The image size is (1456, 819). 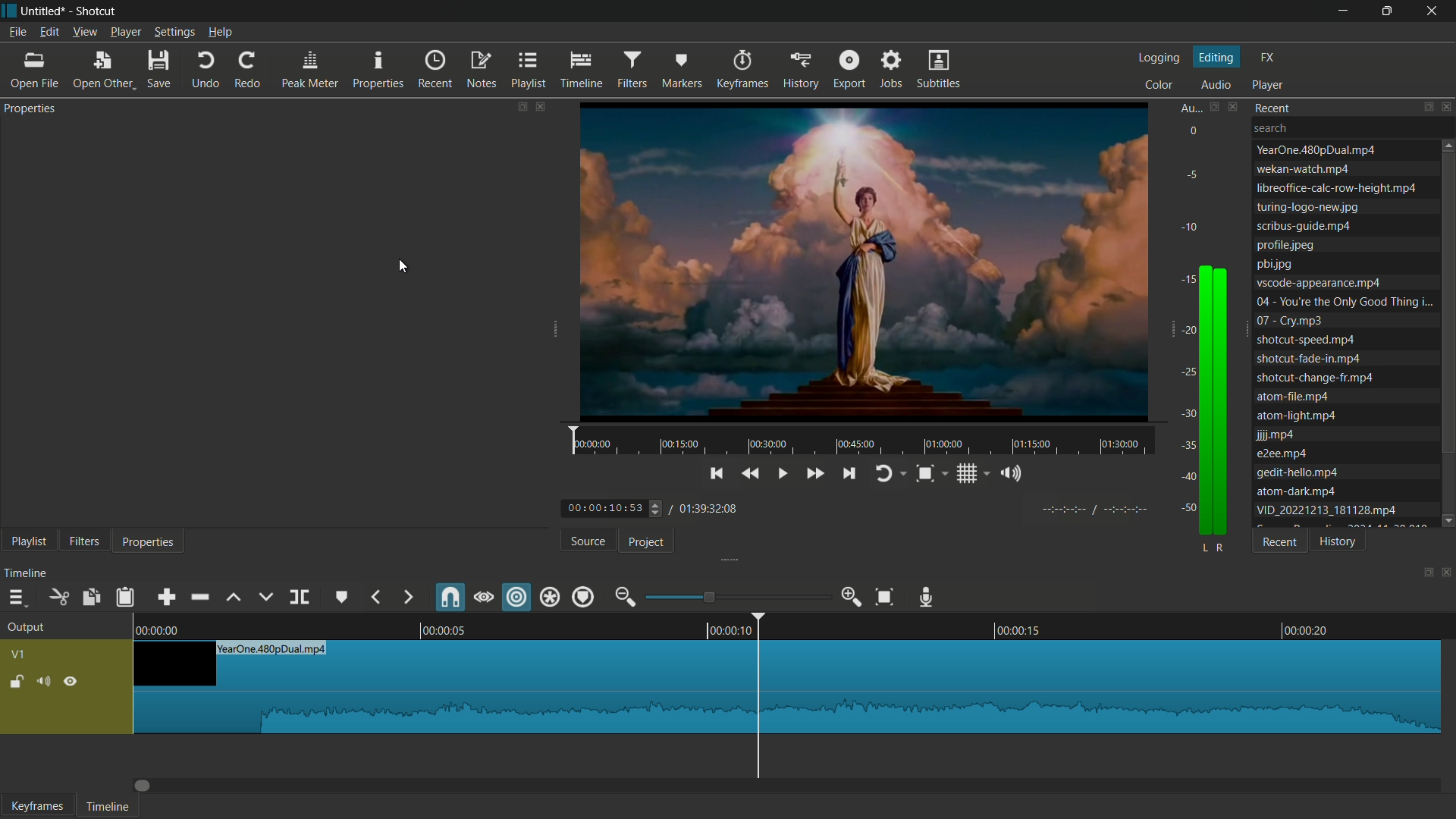 What do you see at coordinates (624, 597) in the screenshot?
I see `zoom out` at bounding box center [624, 597].